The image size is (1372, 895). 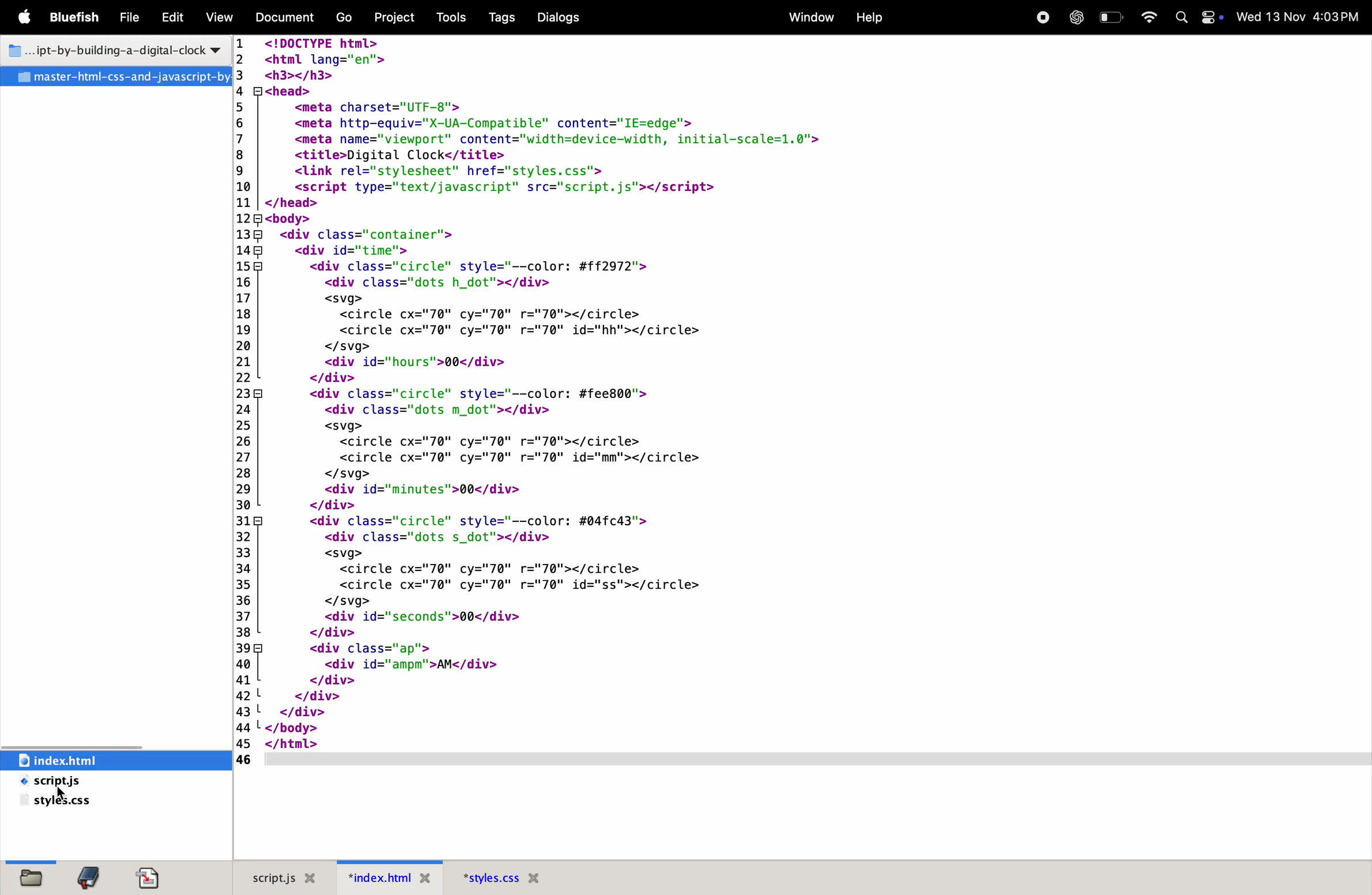 What do you see at coordinates (867, 16) in the screenshot?
I see `help` at bounding box center [867, 16].